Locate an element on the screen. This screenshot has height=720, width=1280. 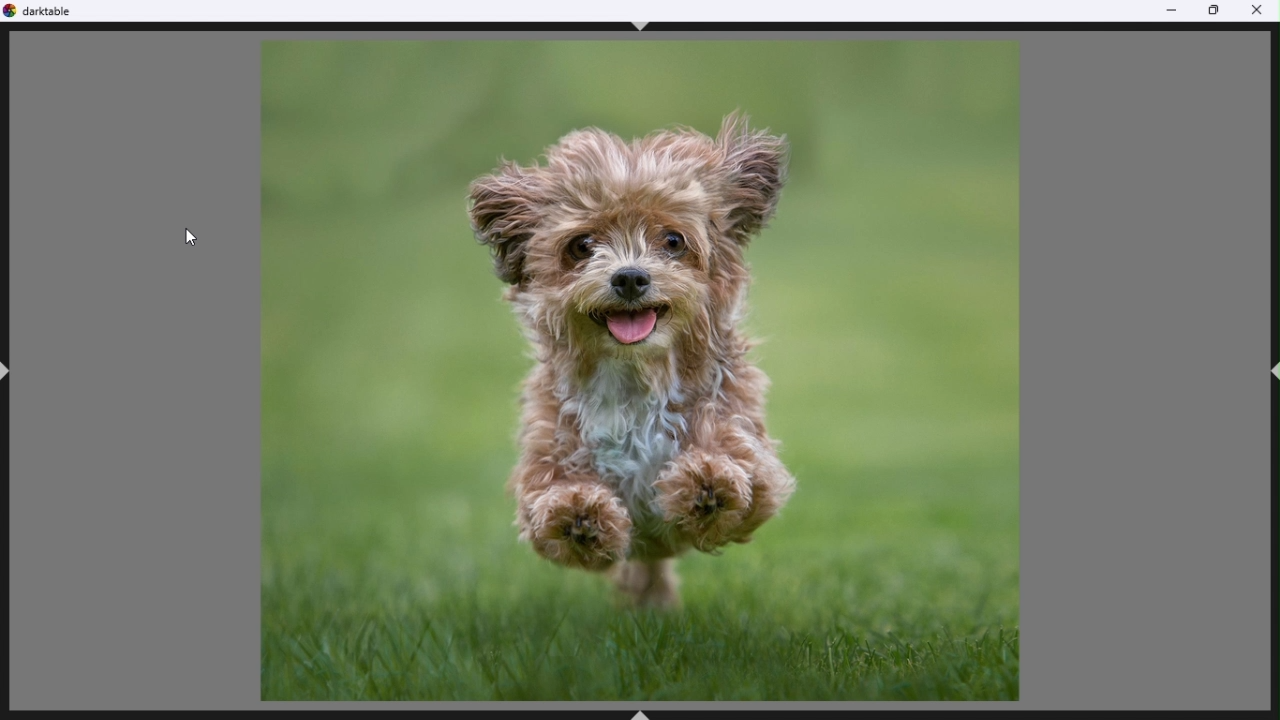
ctrl+shhft+B is located at coordinates (644, 713).